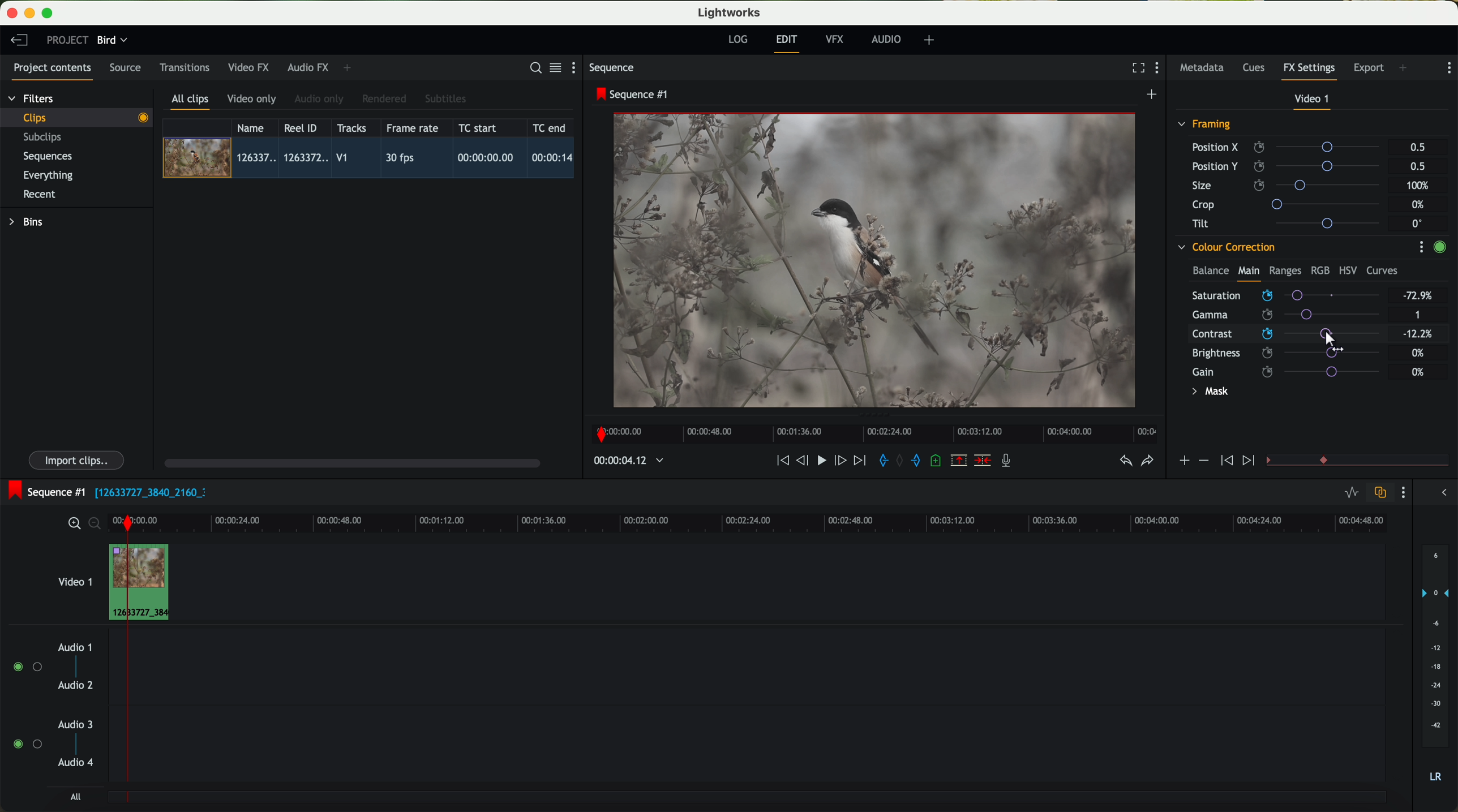 This screenshot has width=1458, height=812. What do you see at coordinates (1225, 461) in the screenshot?
I see `icon` at bounding box center [1225, 461].